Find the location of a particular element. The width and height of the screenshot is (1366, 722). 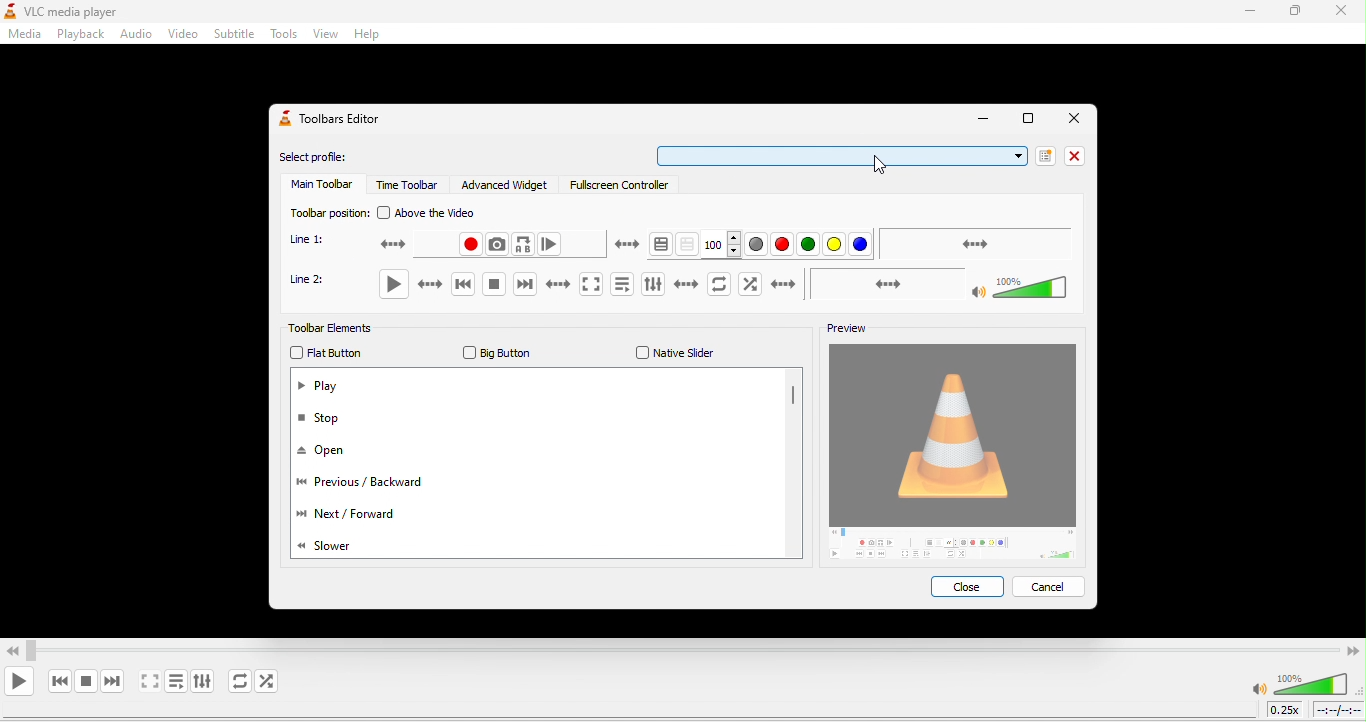

toggle playlist is located at coordinates (623, 283).